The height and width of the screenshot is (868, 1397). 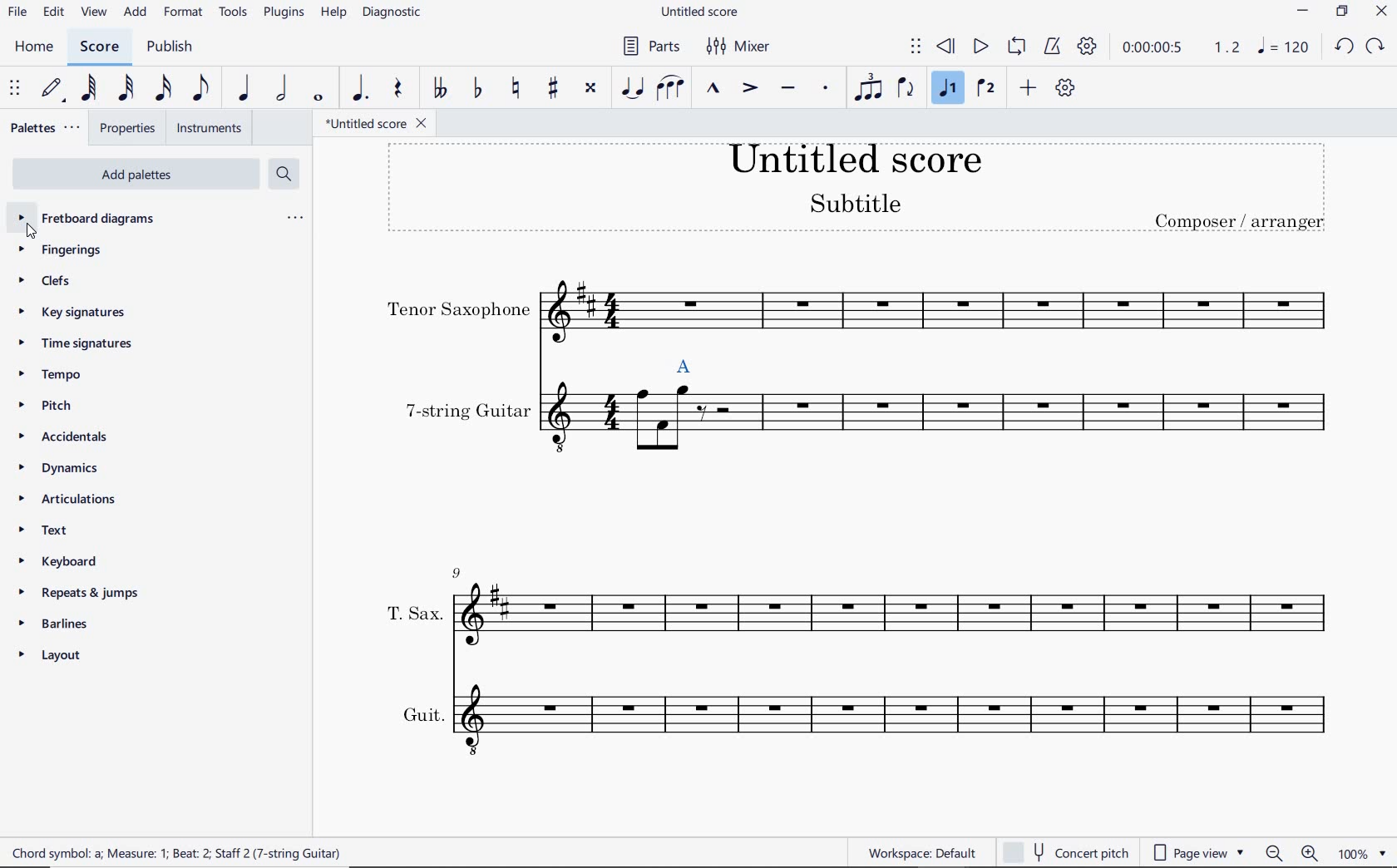 I want to click on KEY SIGNATURES, so click(x=81, y=313).